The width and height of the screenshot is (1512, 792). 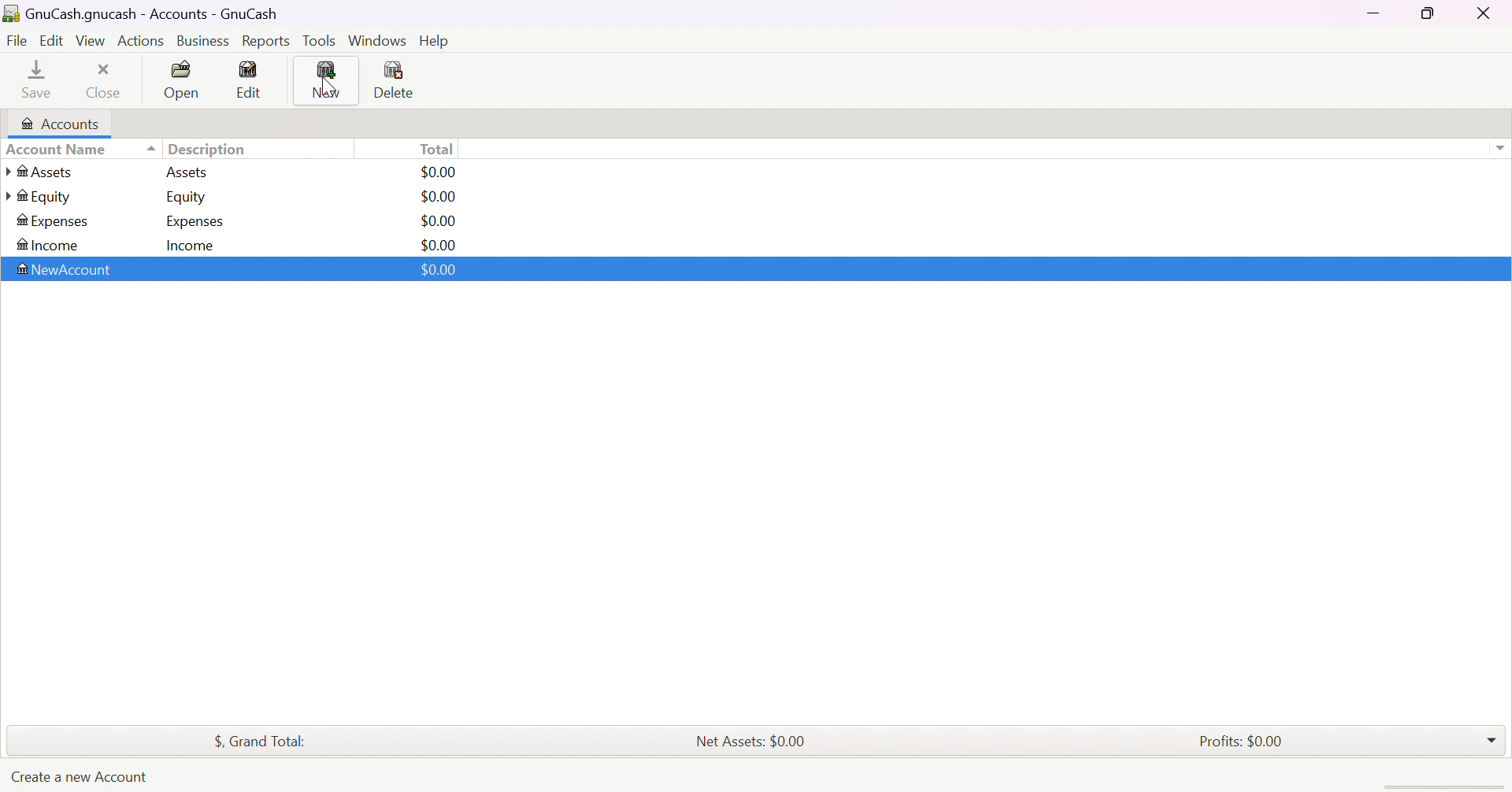 What do you see at coordinates (50, 41) in the screenshot?
I see `Edit` at bounding box center [50, 41].